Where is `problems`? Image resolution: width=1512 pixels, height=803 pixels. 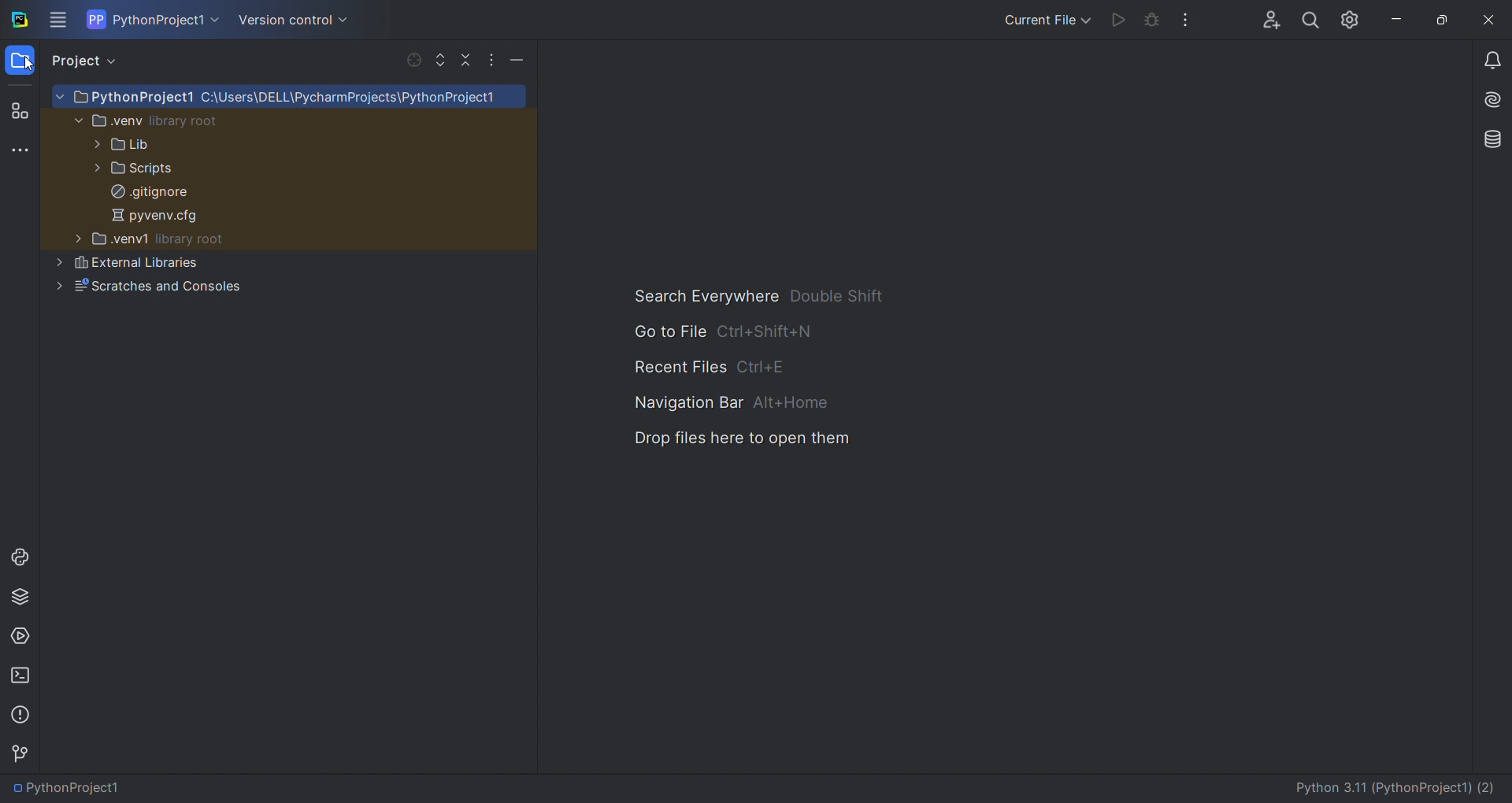
problems is located at coordinates (19, 714).